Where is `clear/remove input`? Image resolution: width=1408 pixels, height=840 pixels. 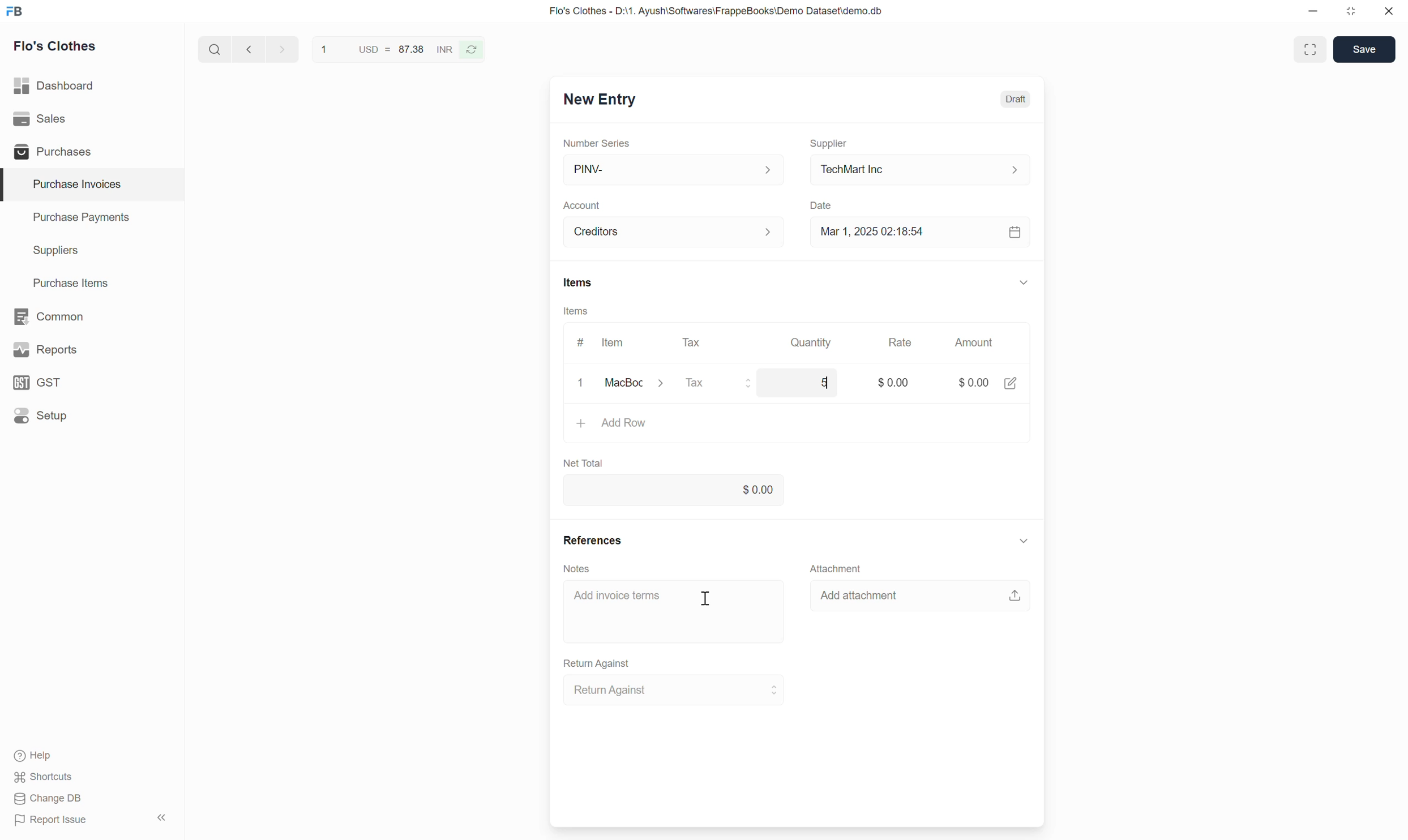
clear/remove input is located at coordinates (583, 384).